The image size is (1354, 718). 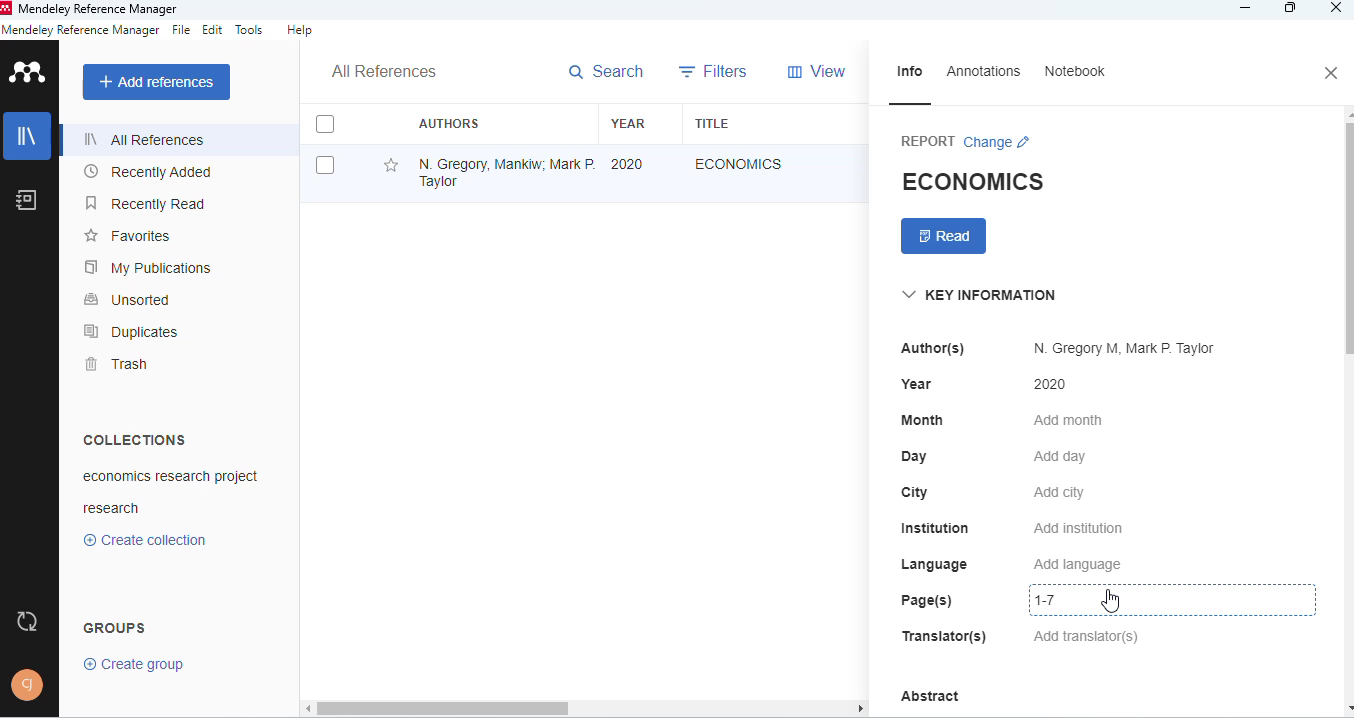 I want to click on authors, so click(x=450, y=123).